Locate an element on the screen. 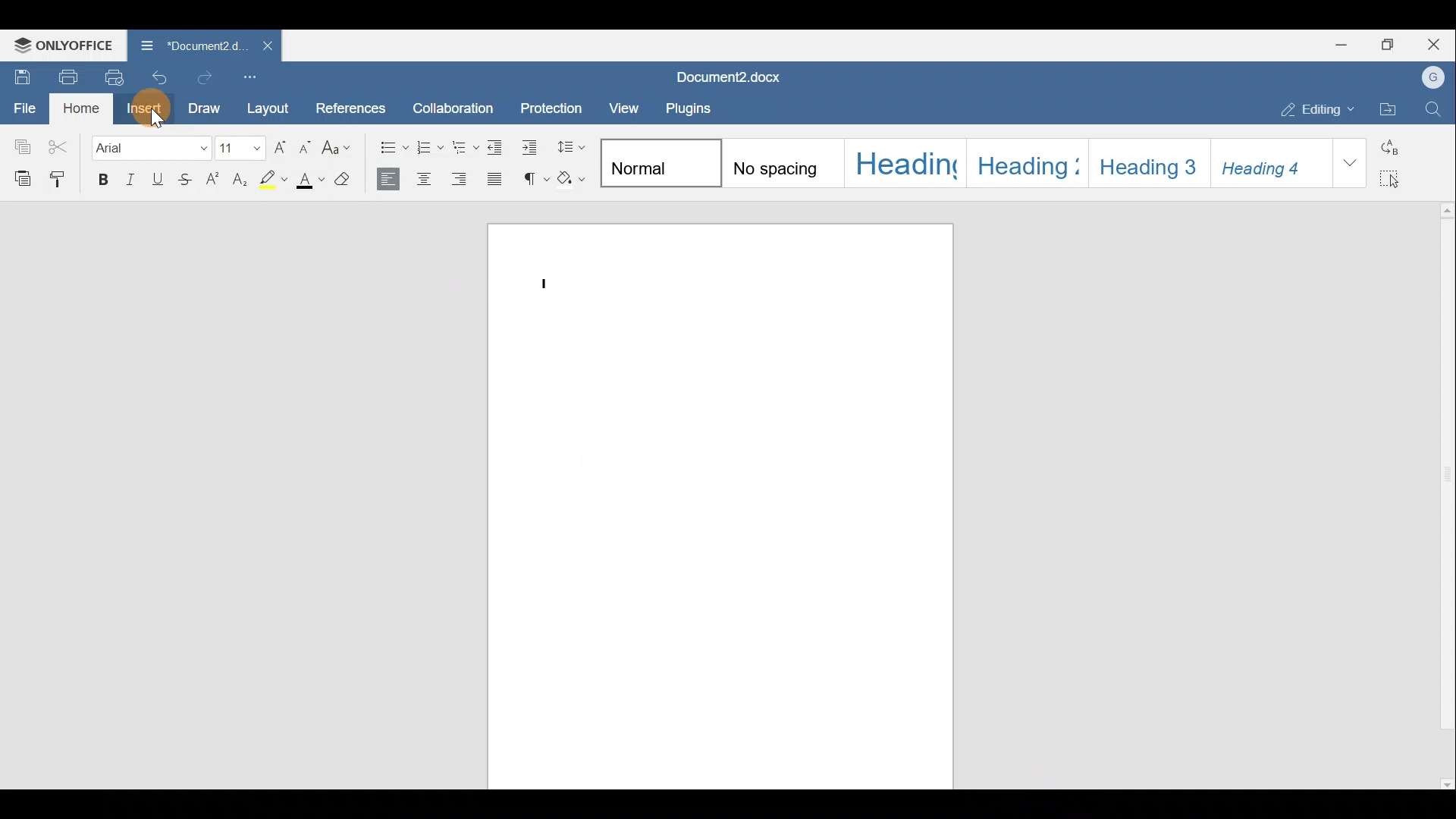 The width and height of the screenshot is (1456, 819). Shading is located at coordinates (573, 178).